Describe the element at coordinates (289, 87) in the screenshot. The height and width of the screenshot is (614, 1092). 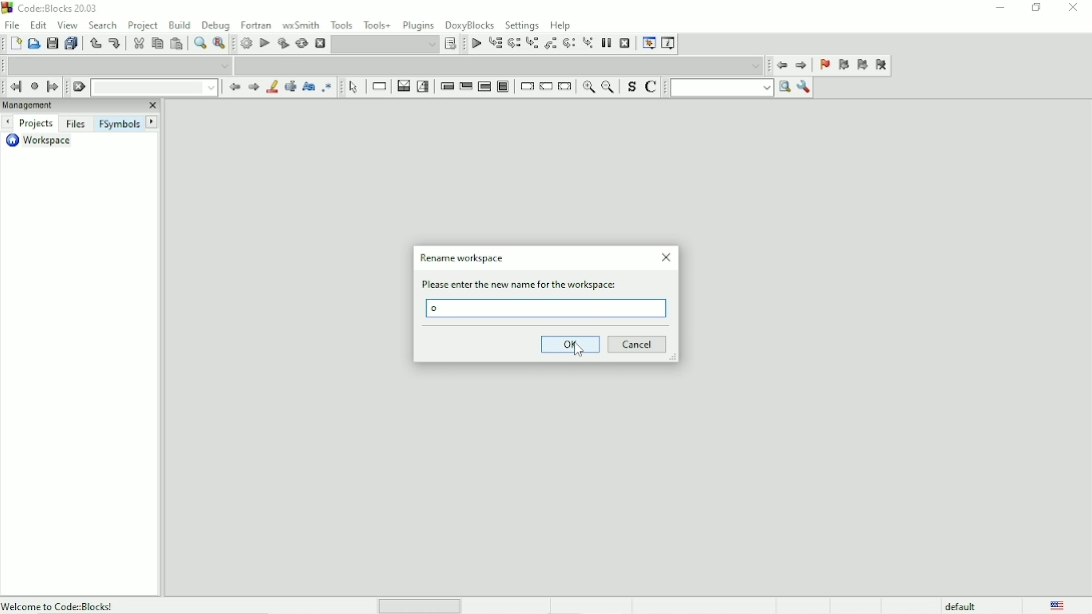
I see `Selected text` at that location.